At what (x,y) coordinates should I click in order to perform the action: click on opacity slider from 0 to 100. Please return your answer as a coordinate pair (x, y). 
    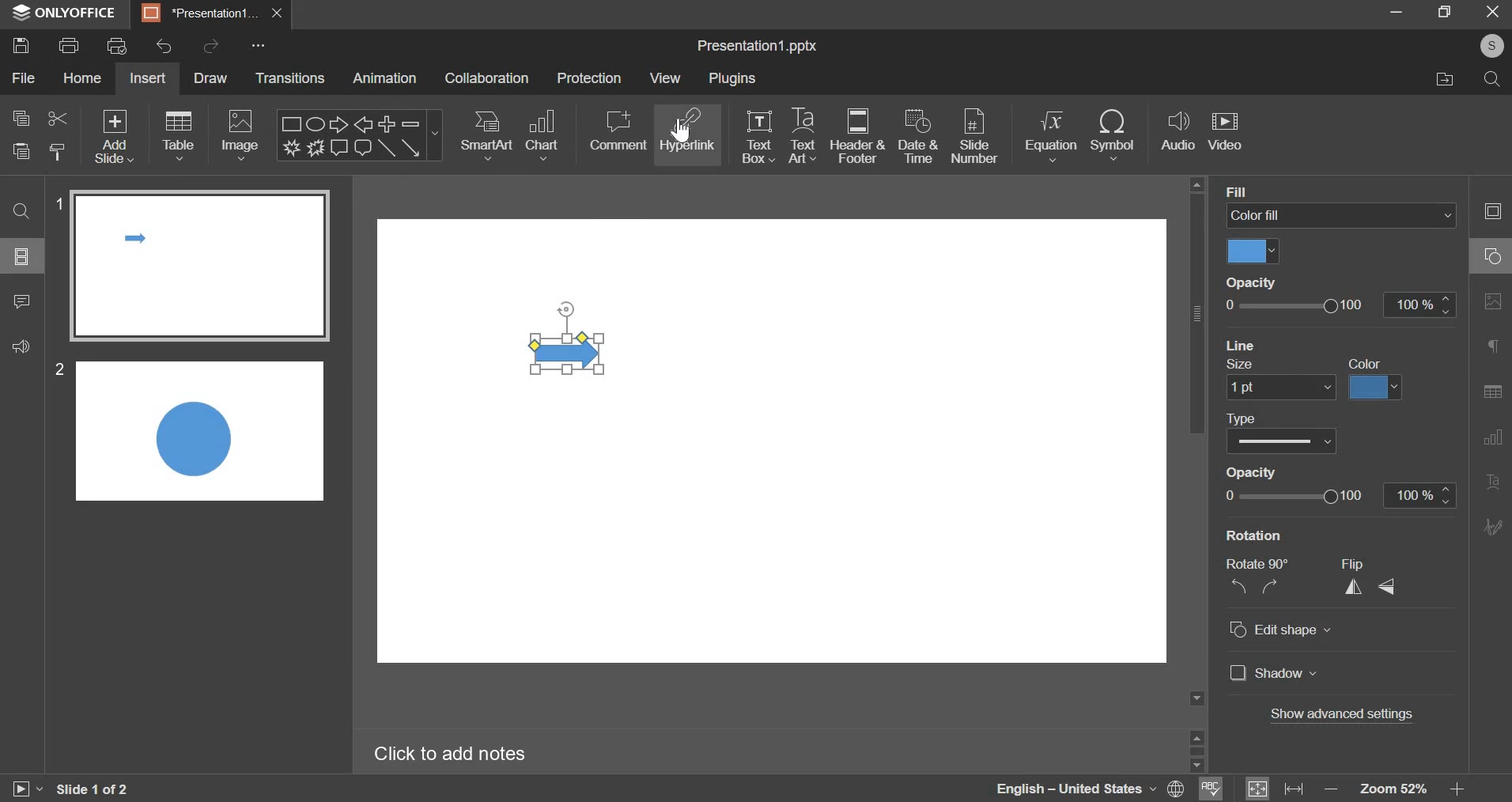
    Looking at the image, I should click on (1341, 305).